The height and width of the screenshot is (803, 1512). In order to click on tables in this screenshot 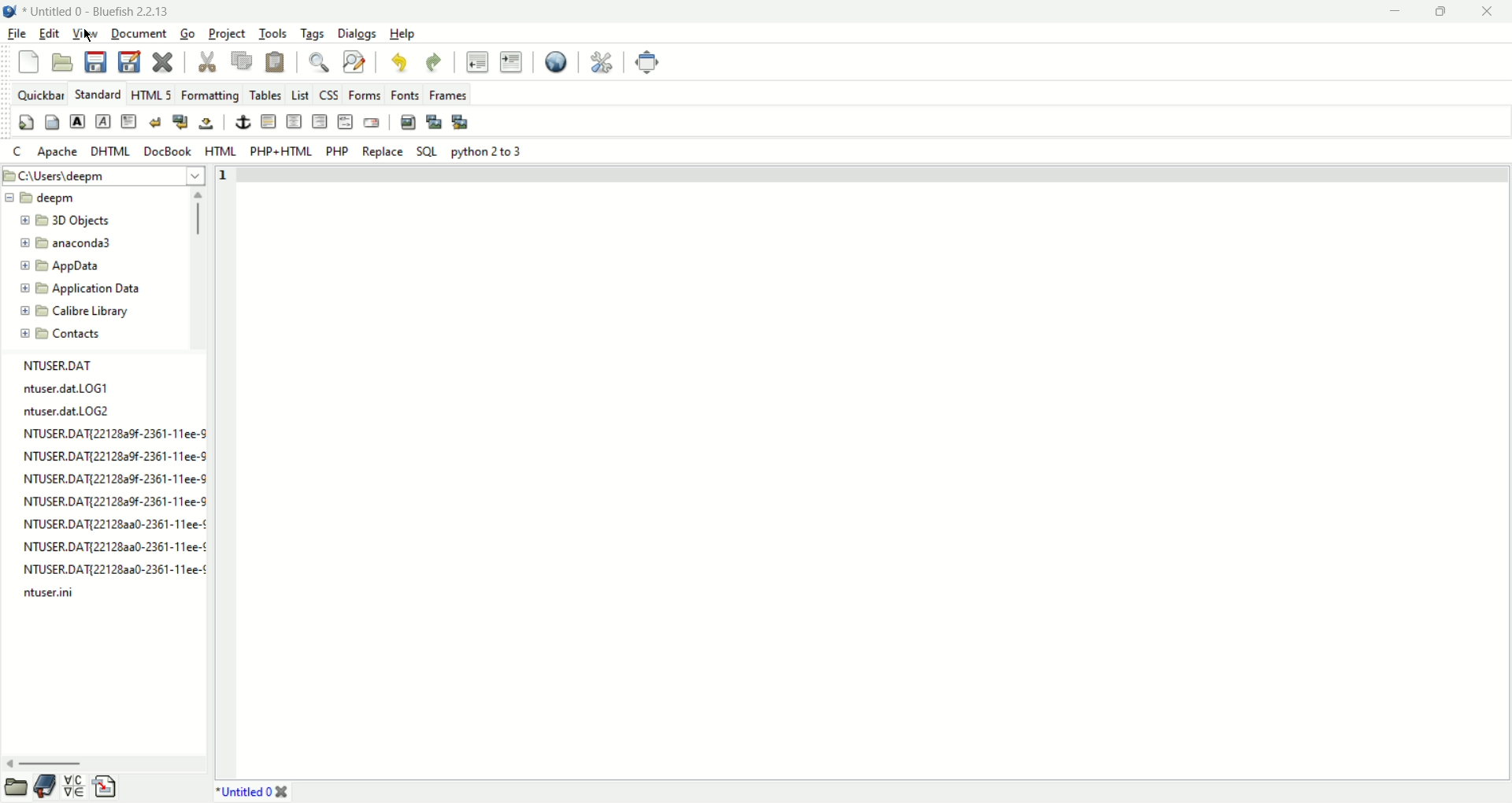, I will do `click(266, 95)`.